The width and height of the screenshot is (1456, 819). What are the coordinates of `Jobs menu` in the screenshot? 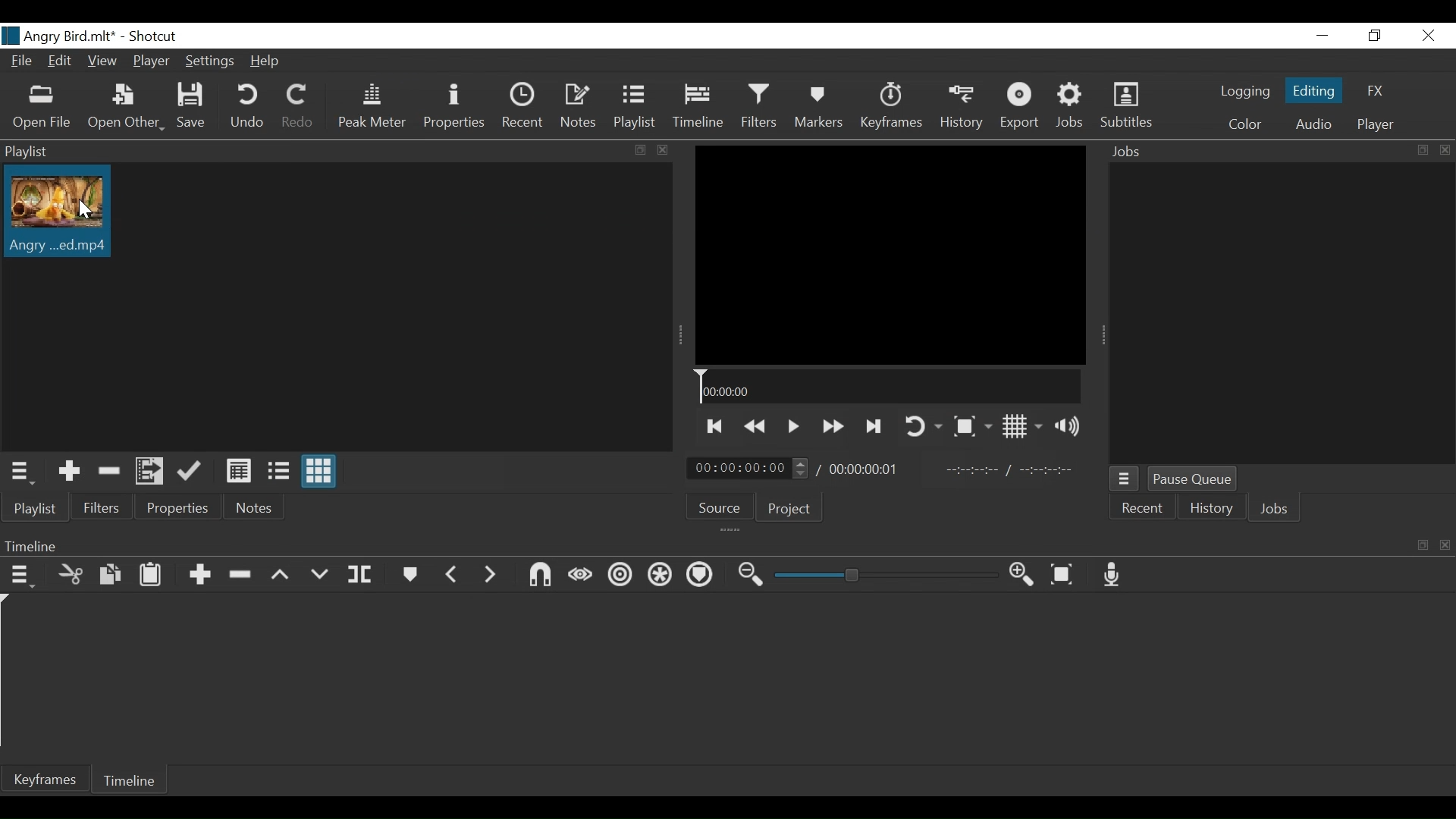 It's located at (1125, 479).